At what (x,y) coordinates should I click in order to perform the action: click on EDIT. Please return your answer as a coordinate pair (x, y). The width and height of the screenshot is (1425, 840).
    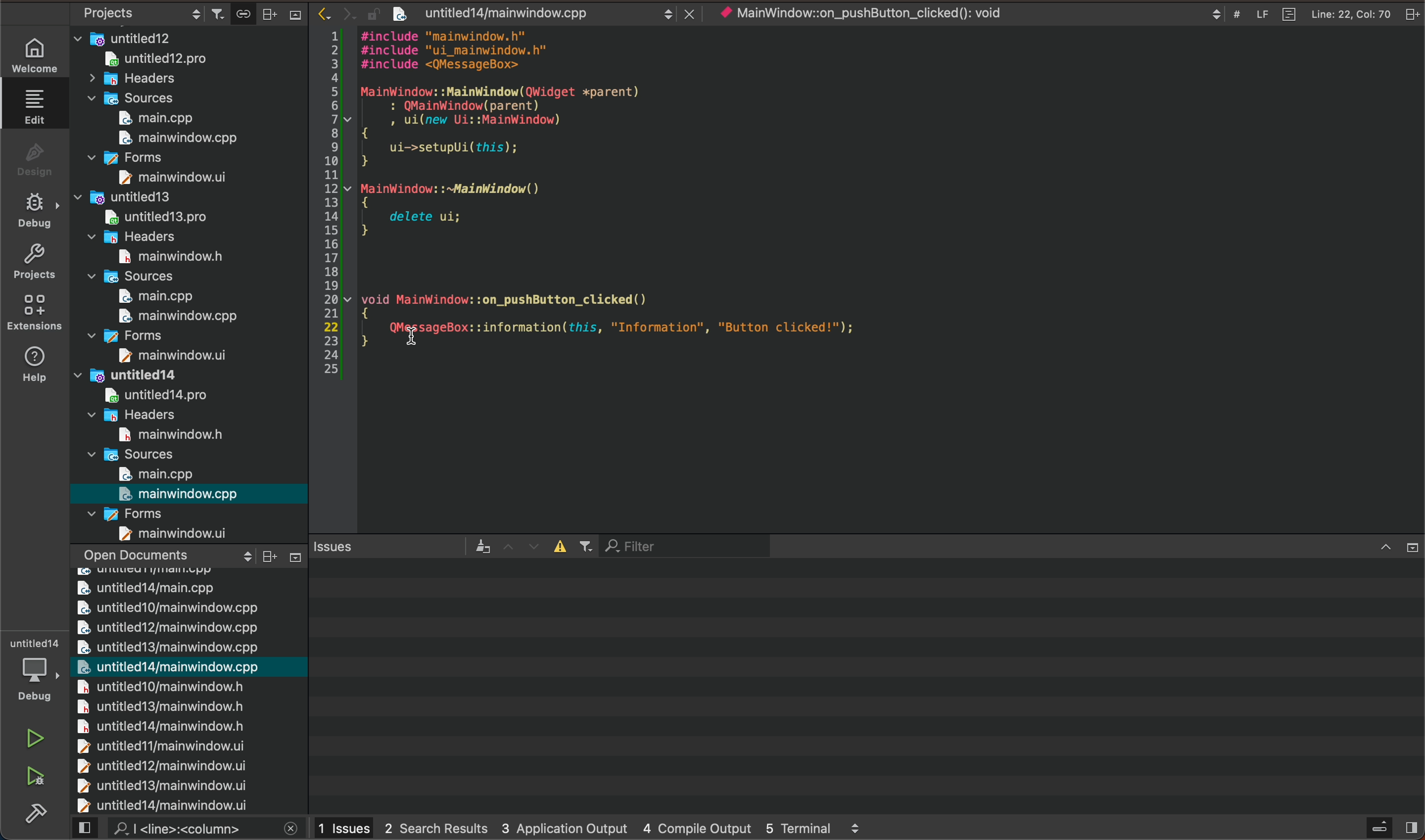
    Looking at the image, I should click on (38, 106).